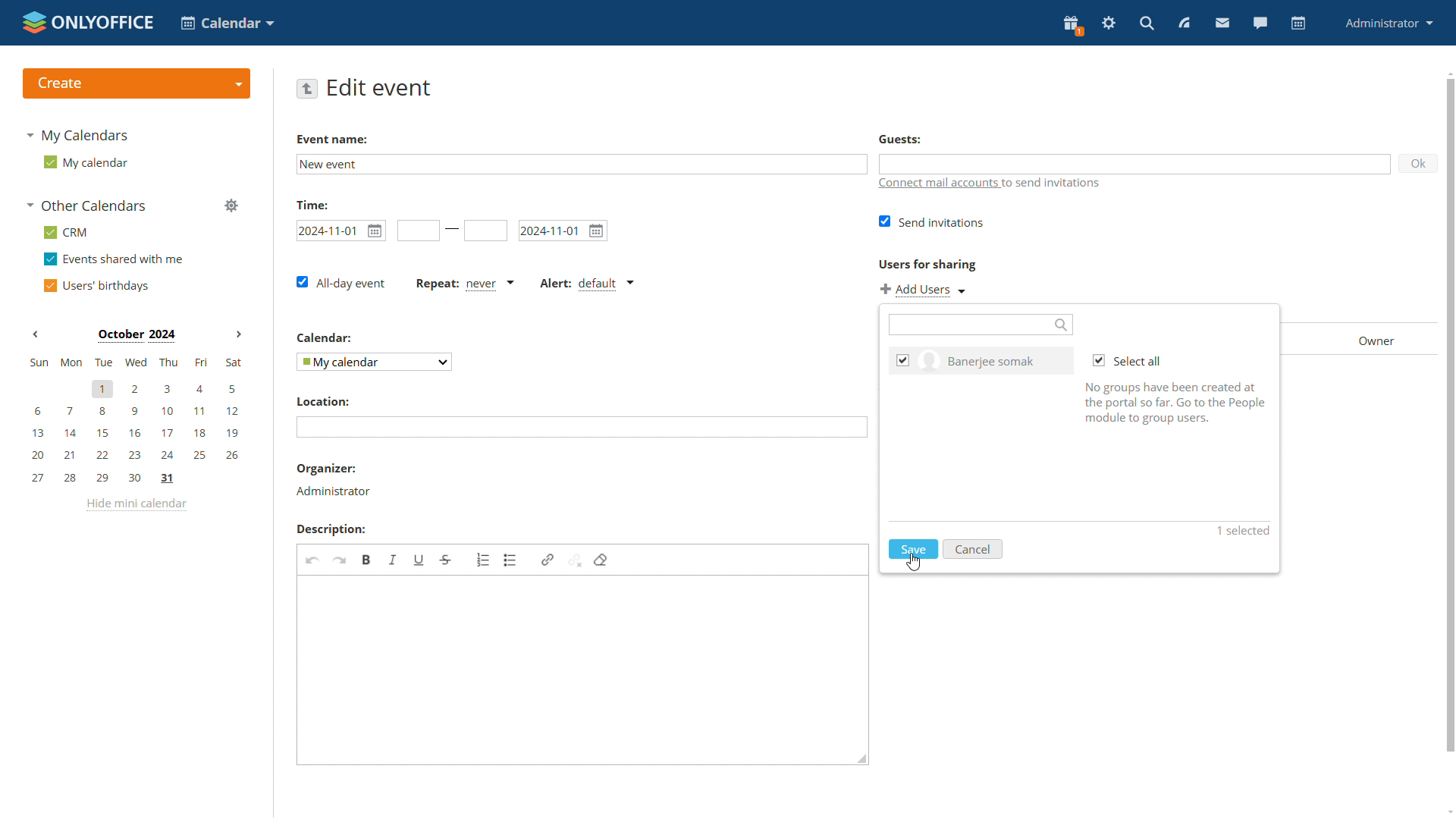 This screenshot has width=1456, height=819. What do you see at coordinates (323, 401) in the screenshot?
I see `Location` at bounding box center [323, 401].